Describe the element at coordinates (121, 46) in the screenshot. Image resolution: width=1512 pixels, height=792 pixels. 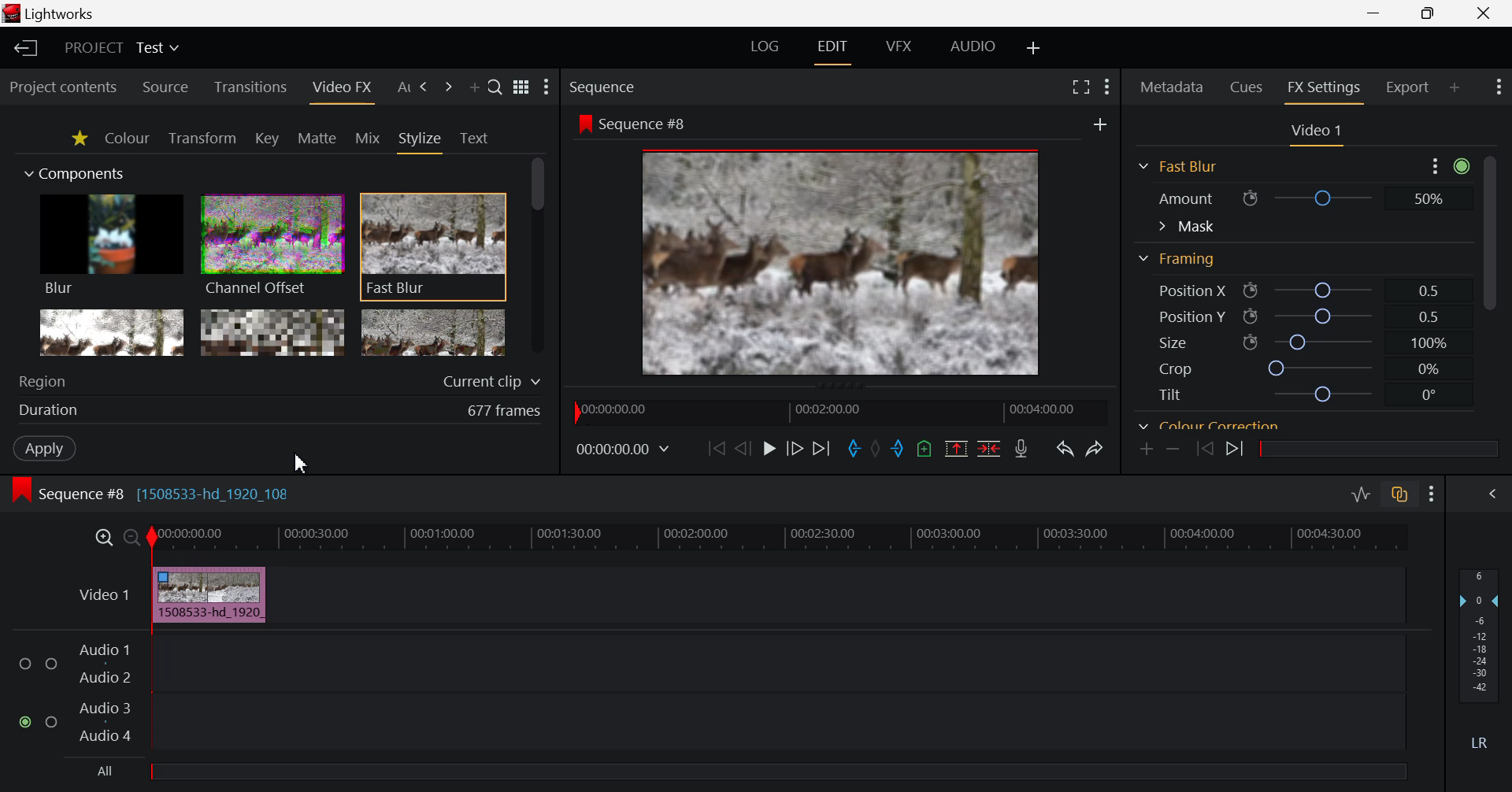
I see `Project Title` at that location.